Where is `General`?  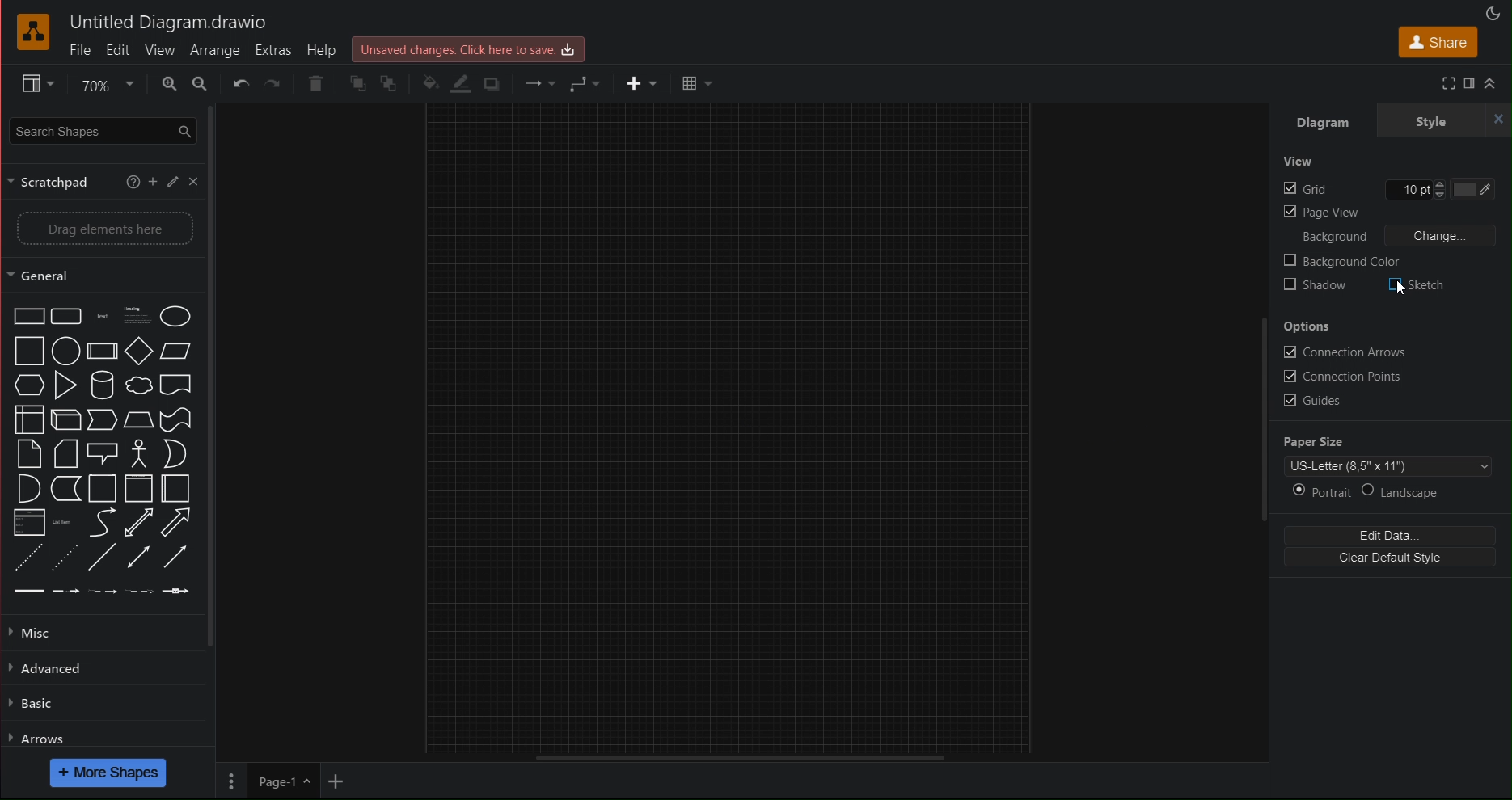
General is located at coordinates (97, 276).